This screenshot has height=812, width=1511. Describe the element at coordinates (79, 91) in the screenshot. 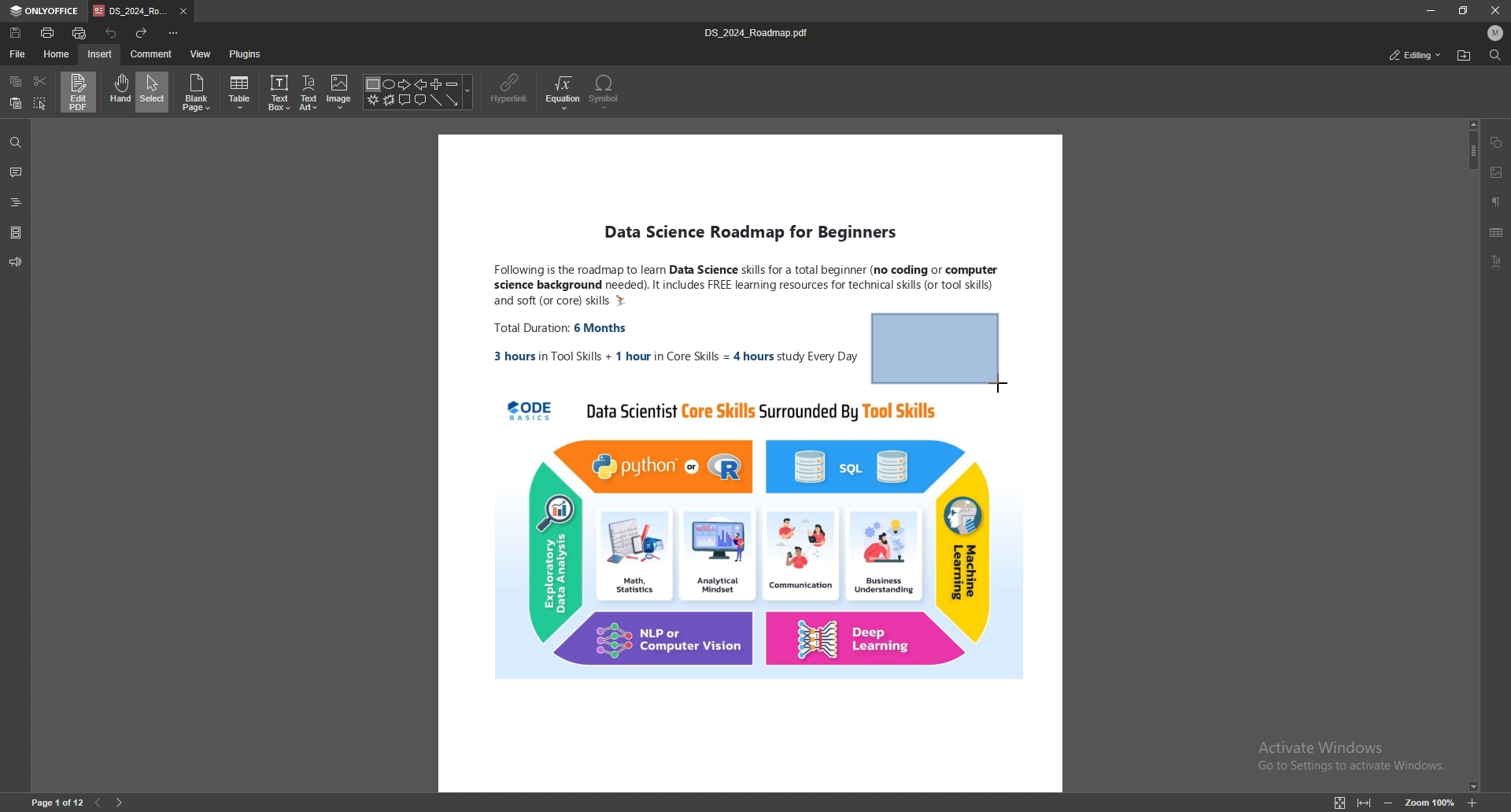

I see `edit pdf` at that location.